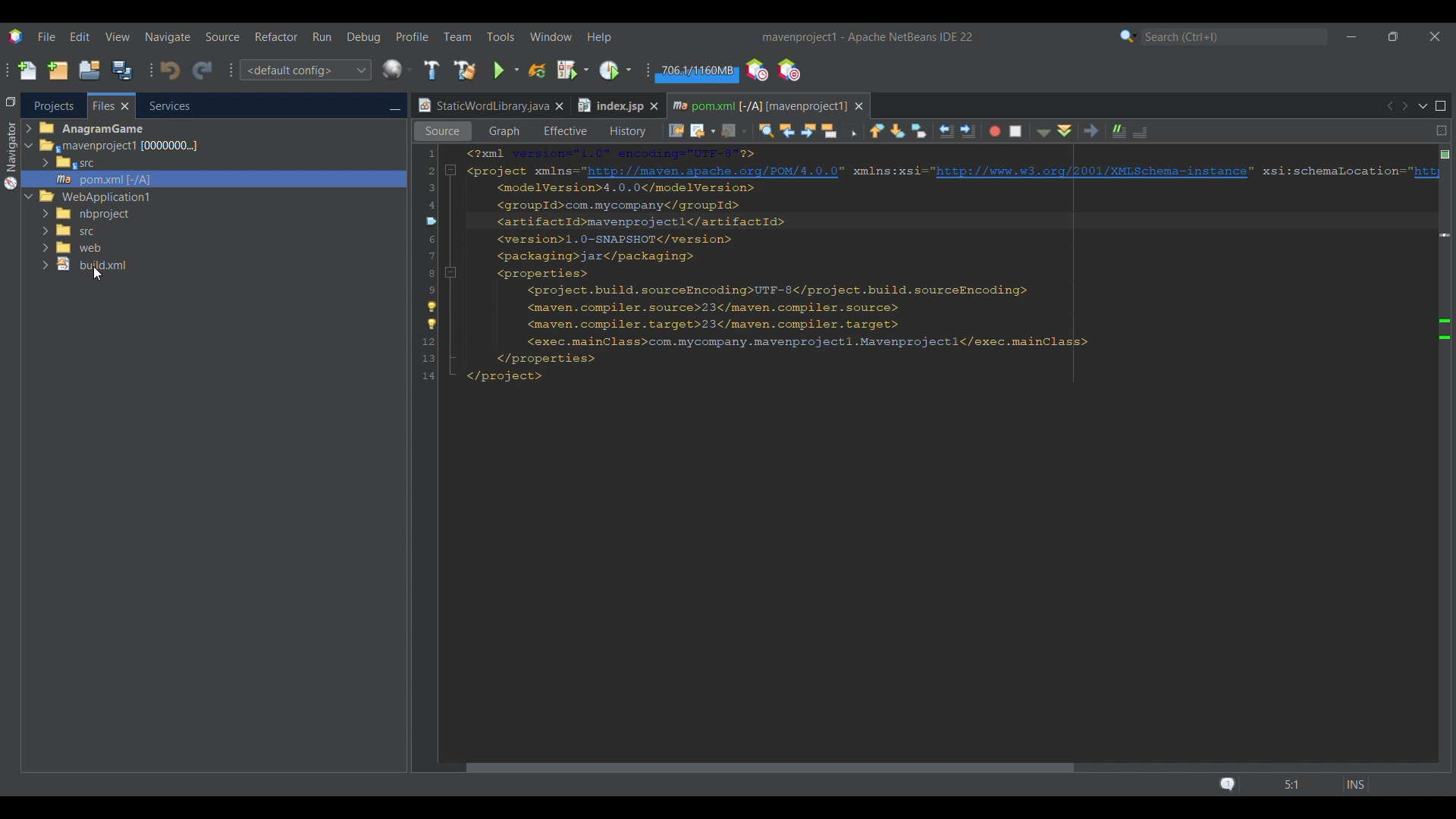 This screenshot has width=1456, height=819. I want to click on Effective view, so click(565, 131).